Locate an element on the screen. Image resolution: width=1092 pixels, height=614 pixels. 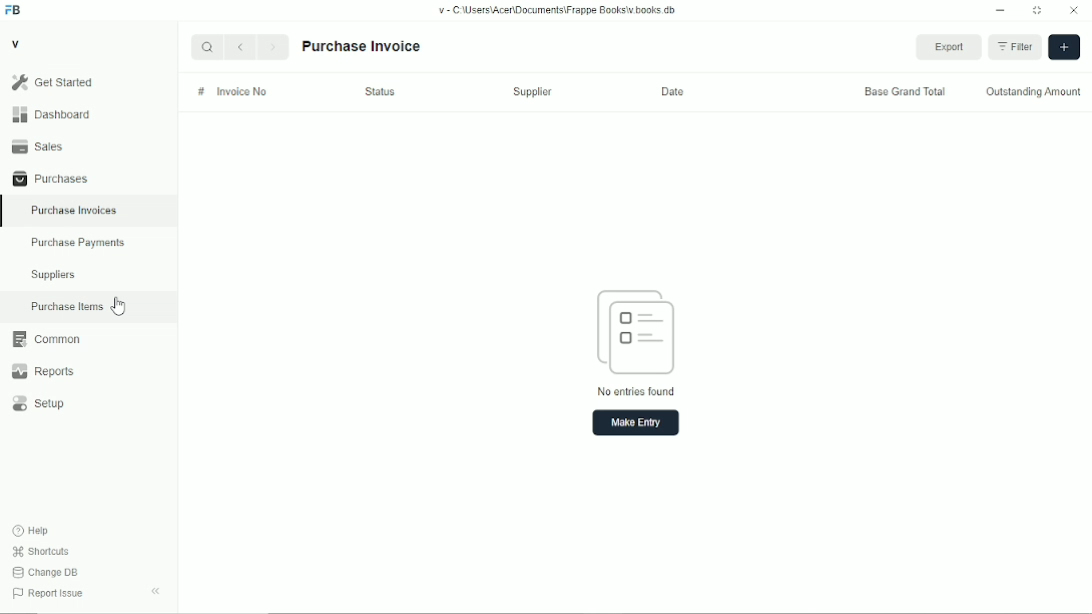
setup is located at coordinates (39, 404).